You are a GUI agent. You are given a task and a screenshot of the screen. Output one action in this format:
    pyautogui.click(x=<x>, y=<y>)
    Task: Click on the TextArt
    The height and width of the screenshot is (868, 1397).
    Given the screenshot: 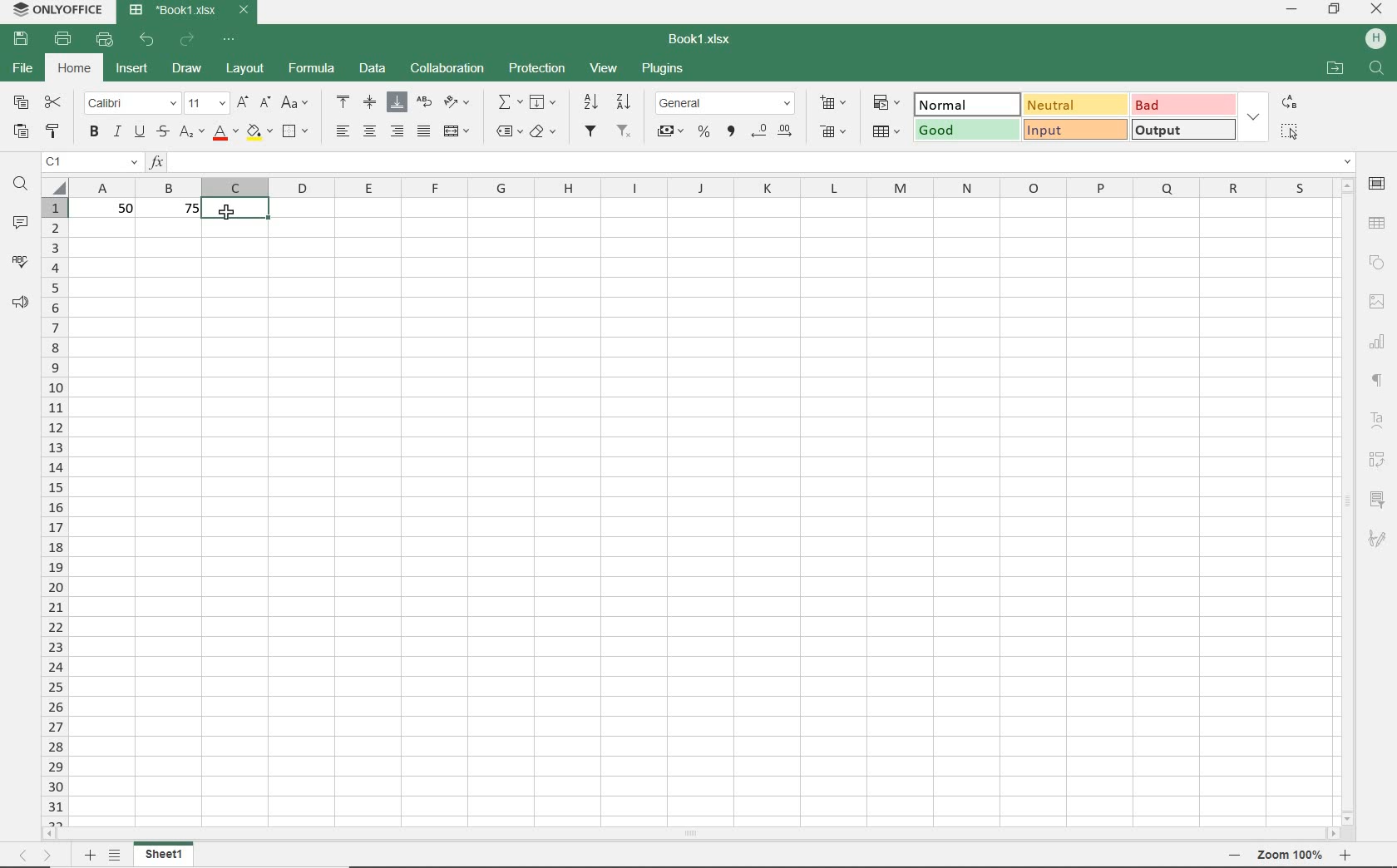 What is the action you would take?
    pyautogui.click(x=1377, y=419)
    